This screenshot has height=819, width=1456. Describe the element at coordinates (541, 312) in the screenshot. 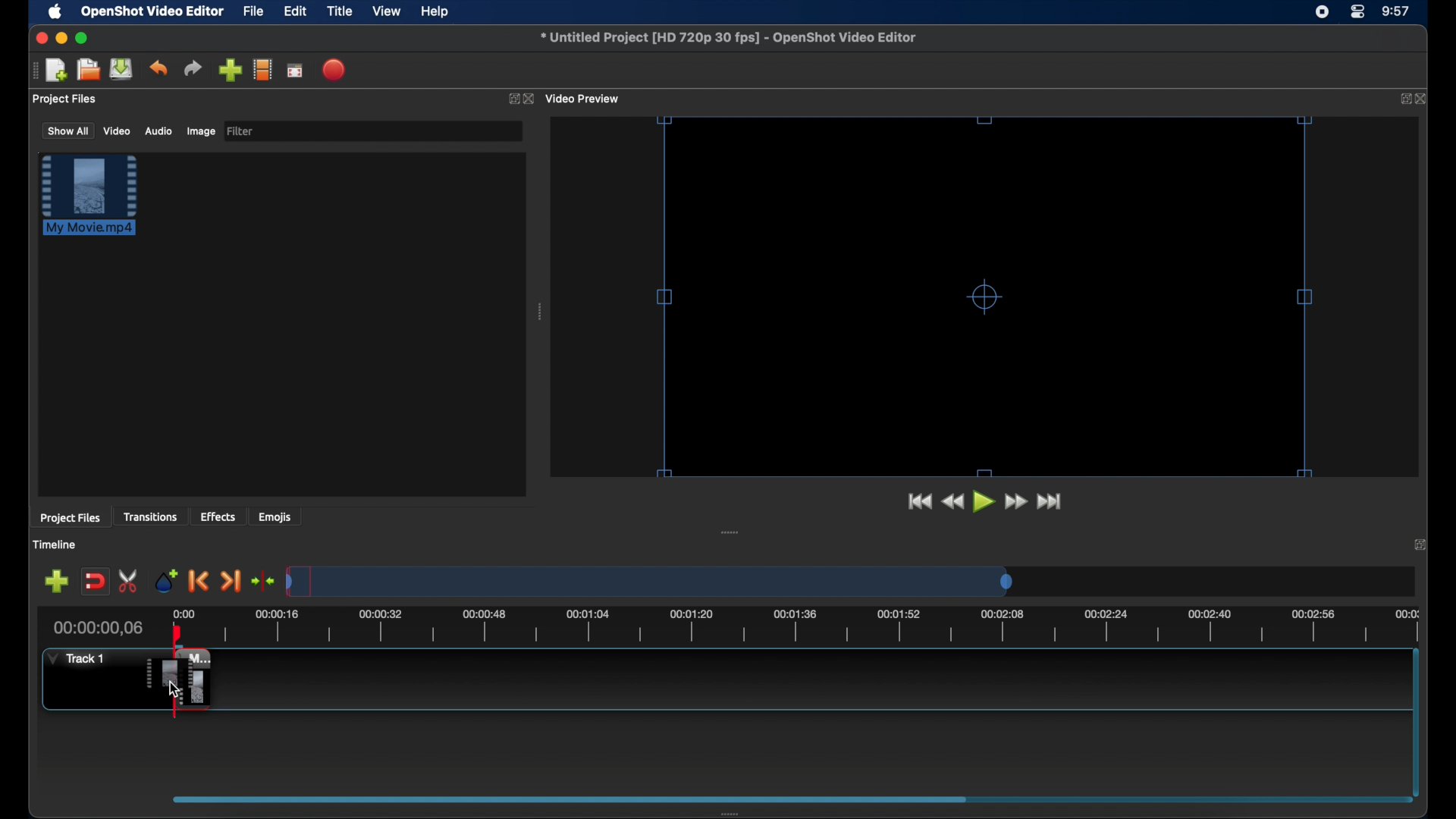

I see `drag handle` at that location.